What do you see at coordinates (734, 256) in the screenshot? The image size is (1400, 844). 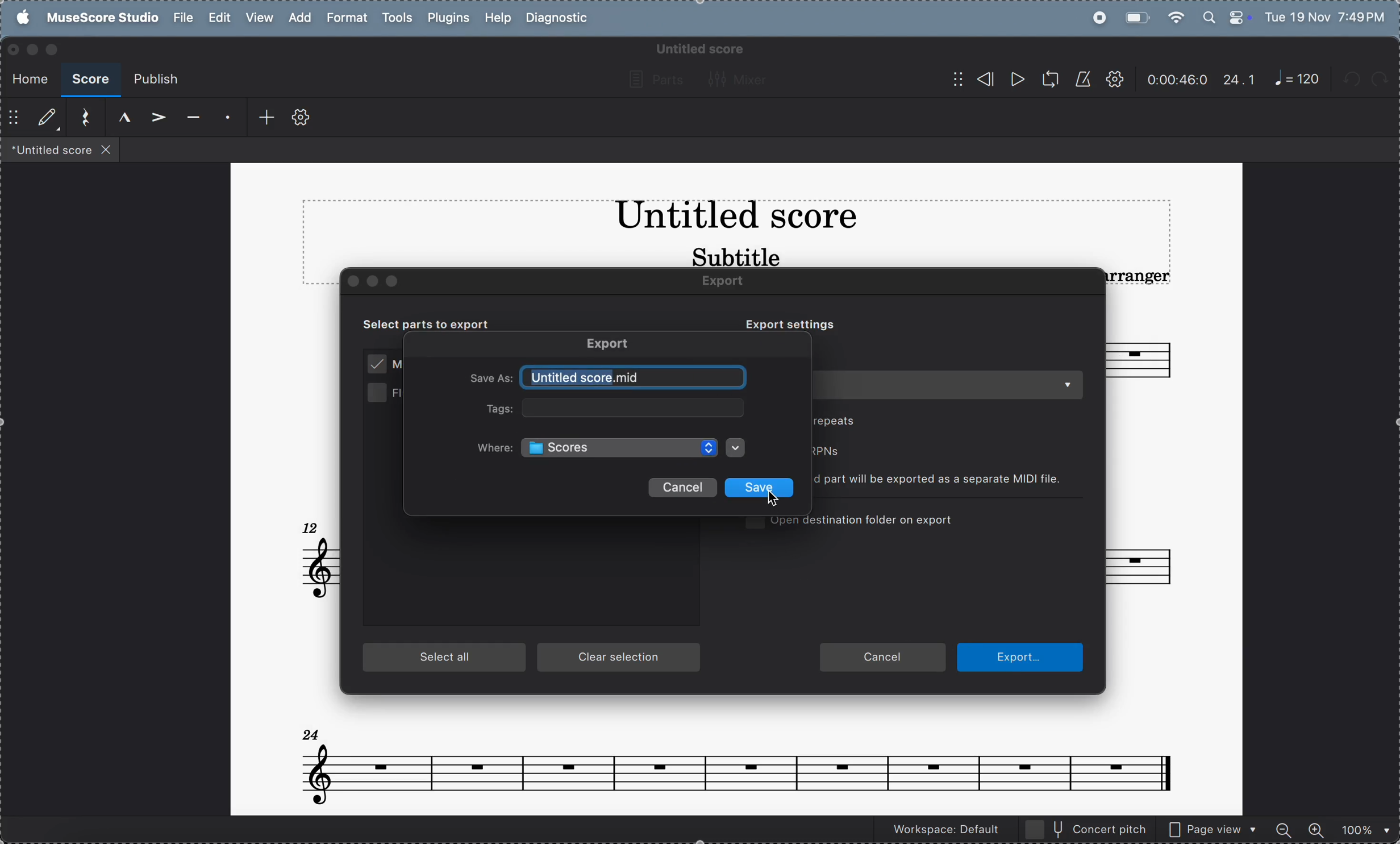 I see `subtitle` at bounding box center [734, 256].